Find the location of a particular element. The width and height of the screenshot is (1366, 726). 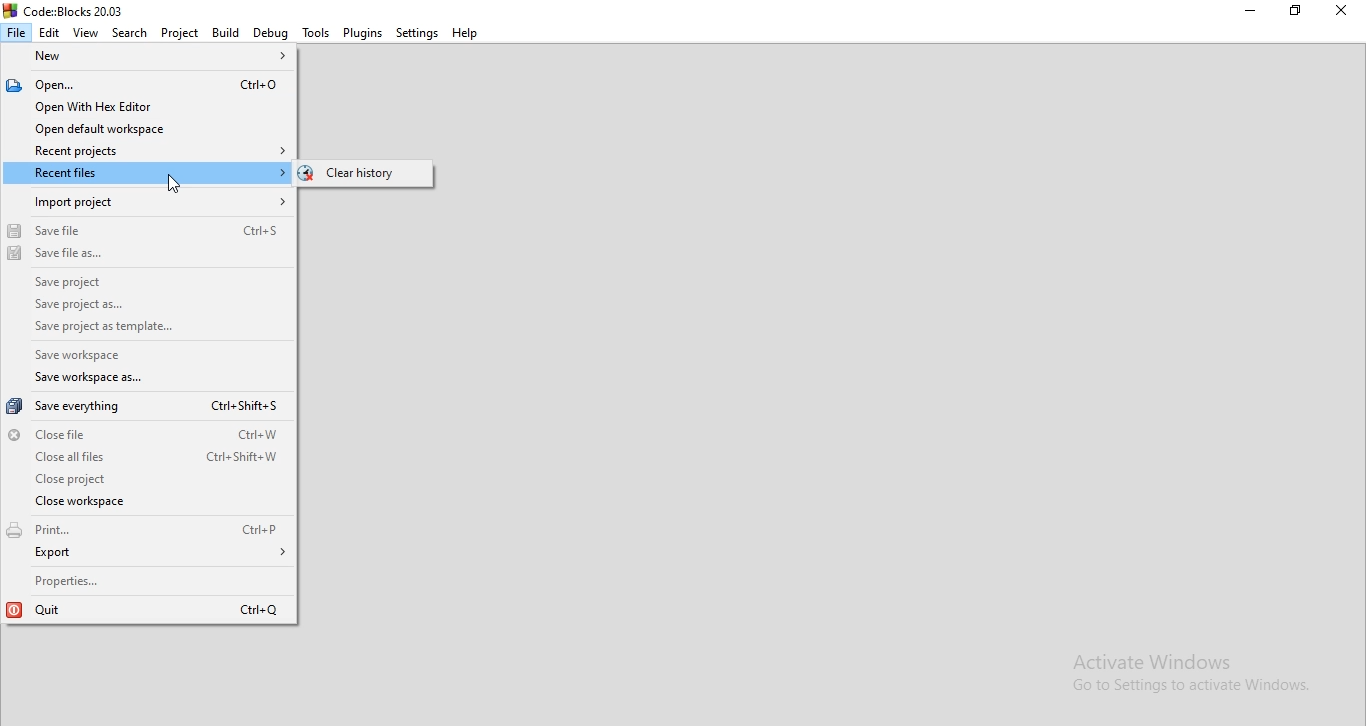

Recent Projects is located at coordinates (145, 150).